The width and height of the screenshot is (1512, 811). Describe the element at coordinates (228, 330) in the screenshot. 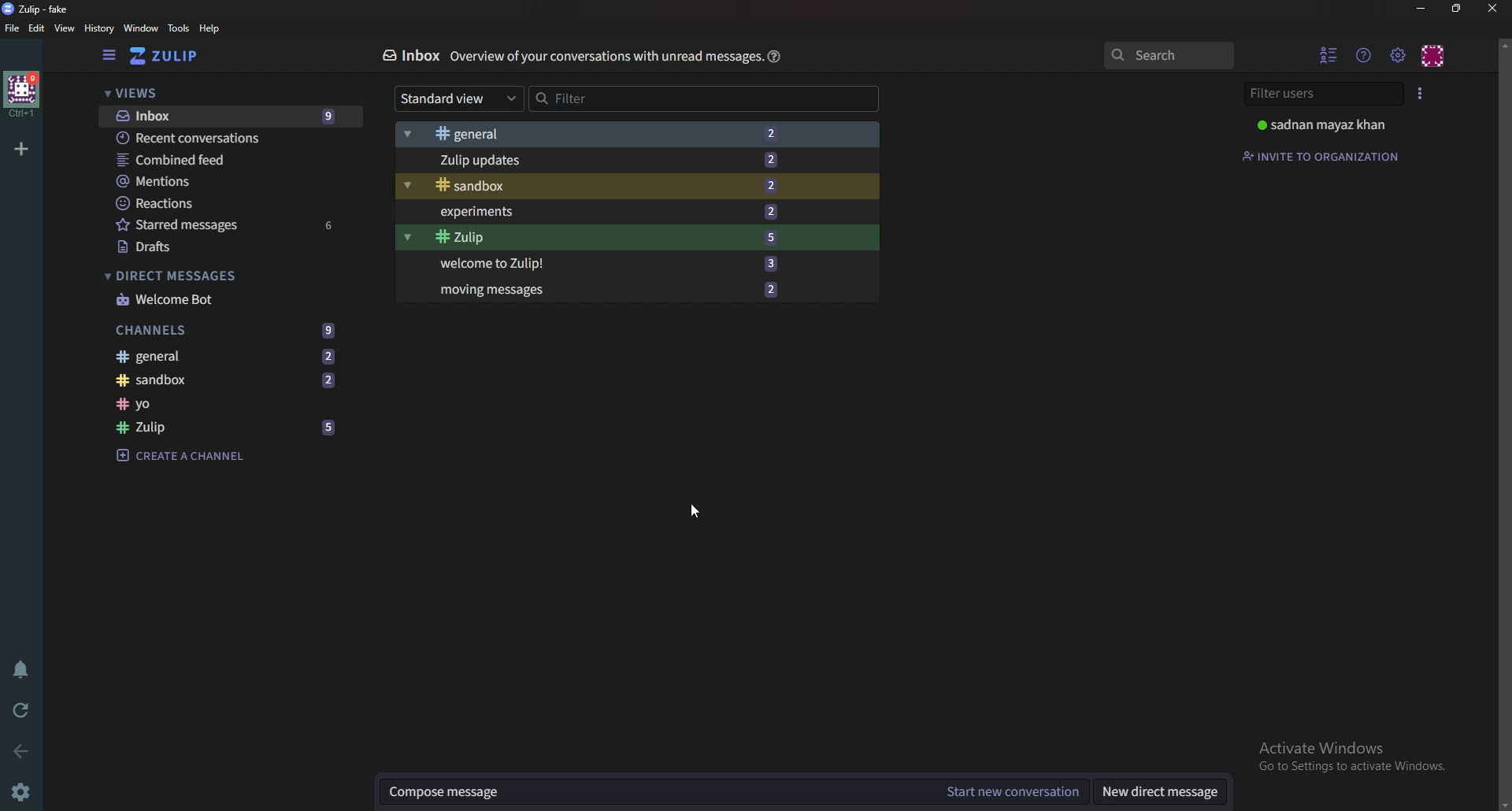

I see `Channels` at that location.